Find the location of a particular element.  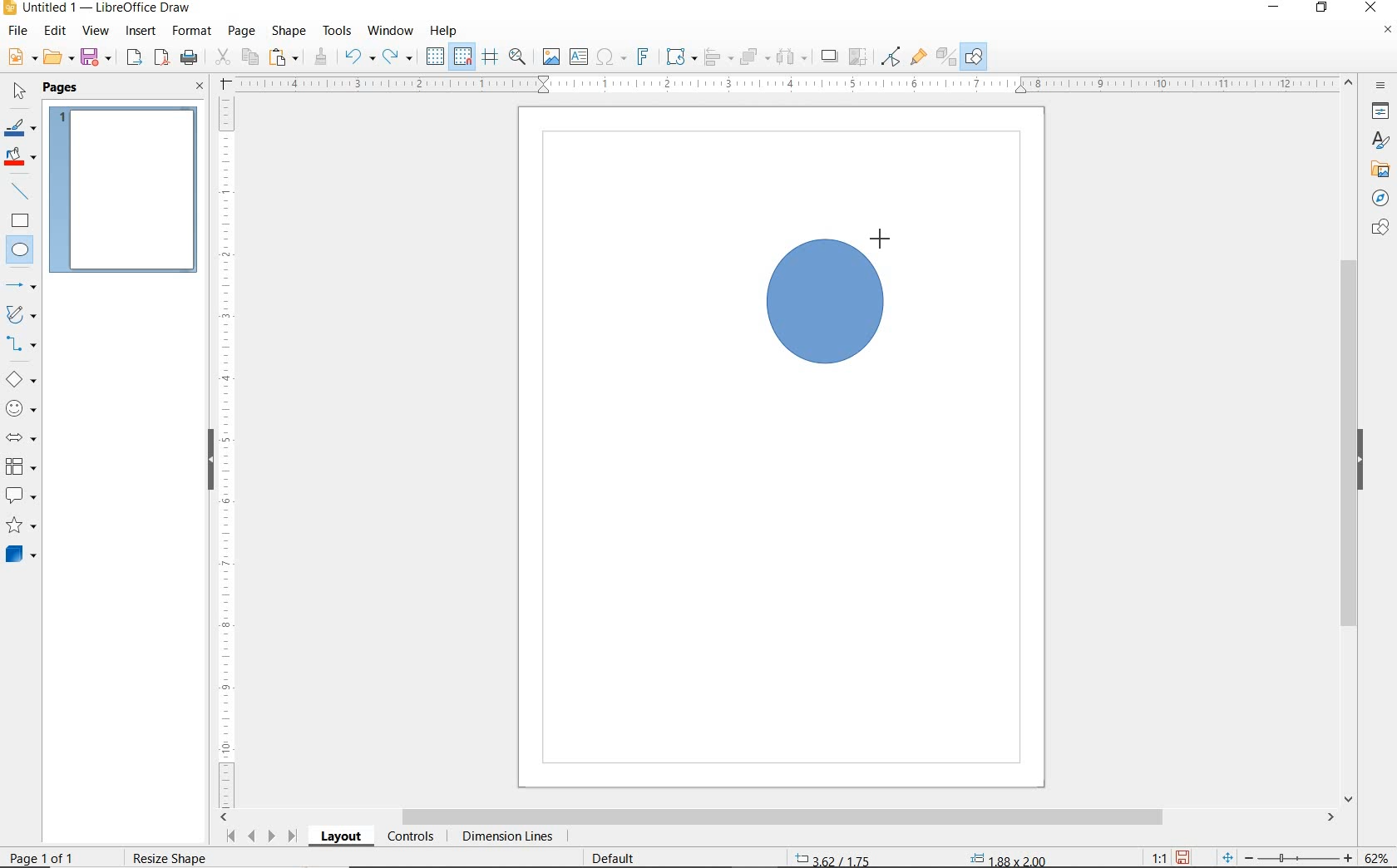

ARRANGE is located at coordinates (754, 57).